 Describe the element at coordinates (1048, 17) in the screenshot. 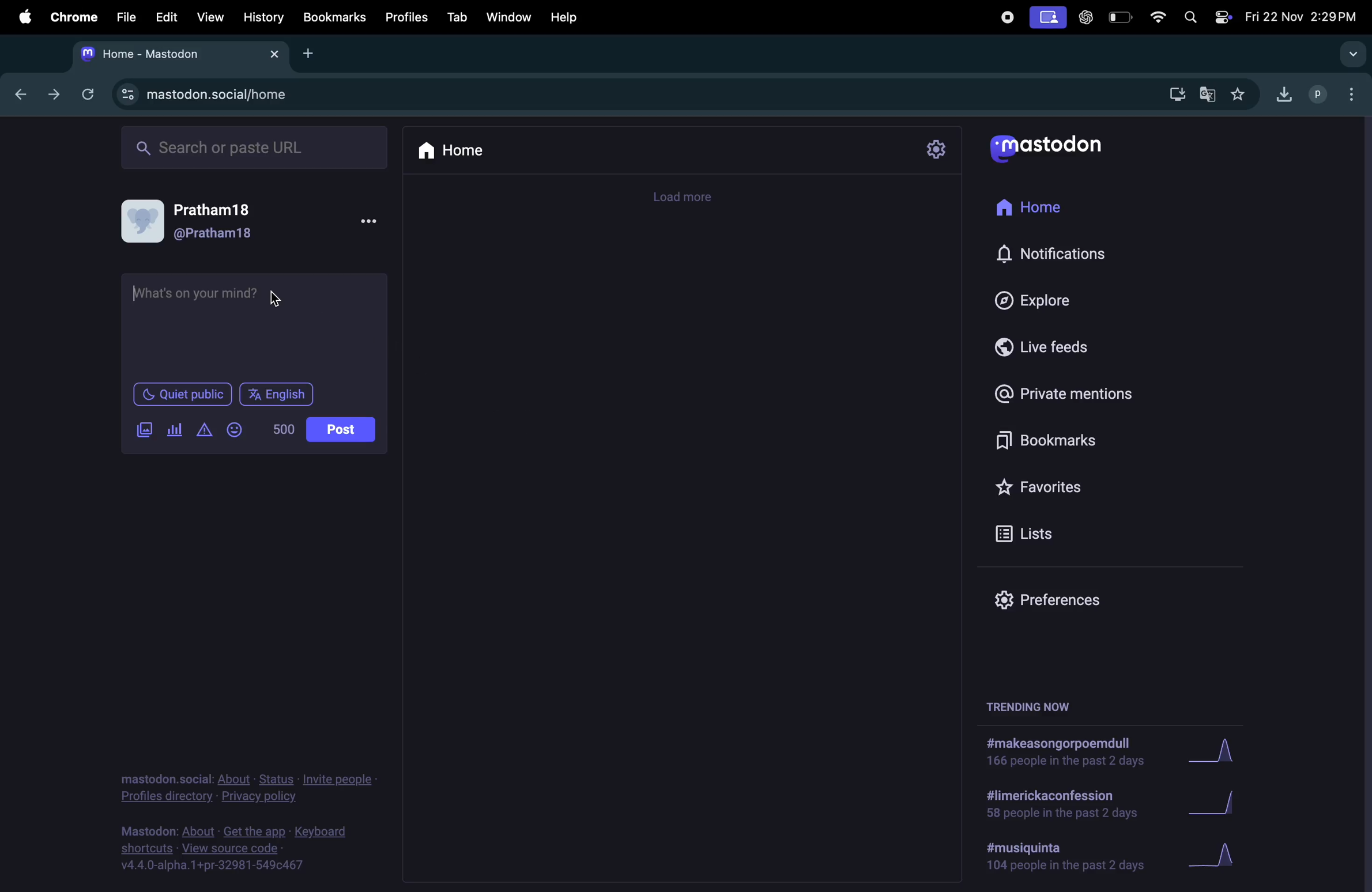

I see `cast` at that location.